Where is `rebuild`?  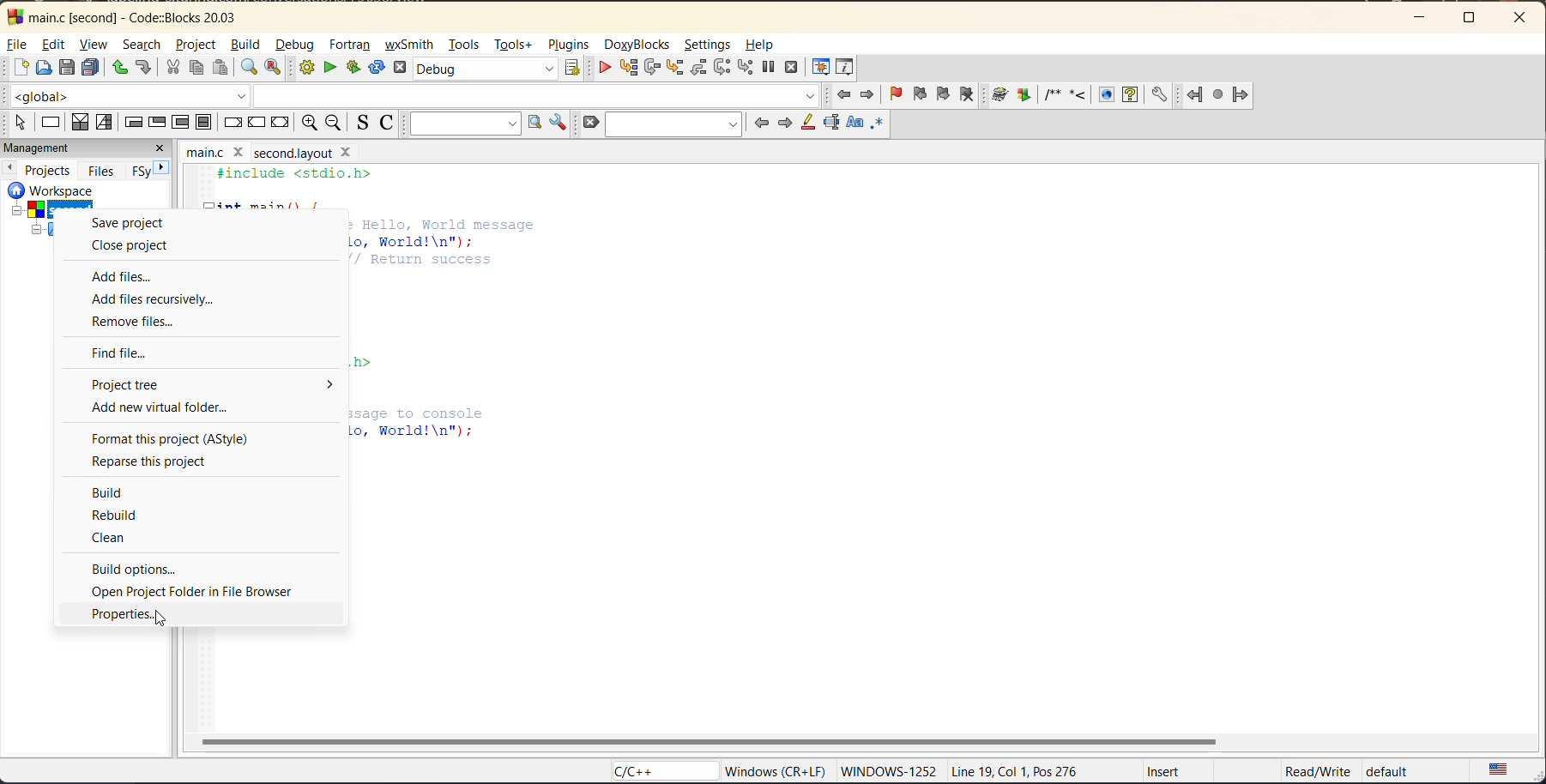
rebuild is located at coordinates (377, 67).